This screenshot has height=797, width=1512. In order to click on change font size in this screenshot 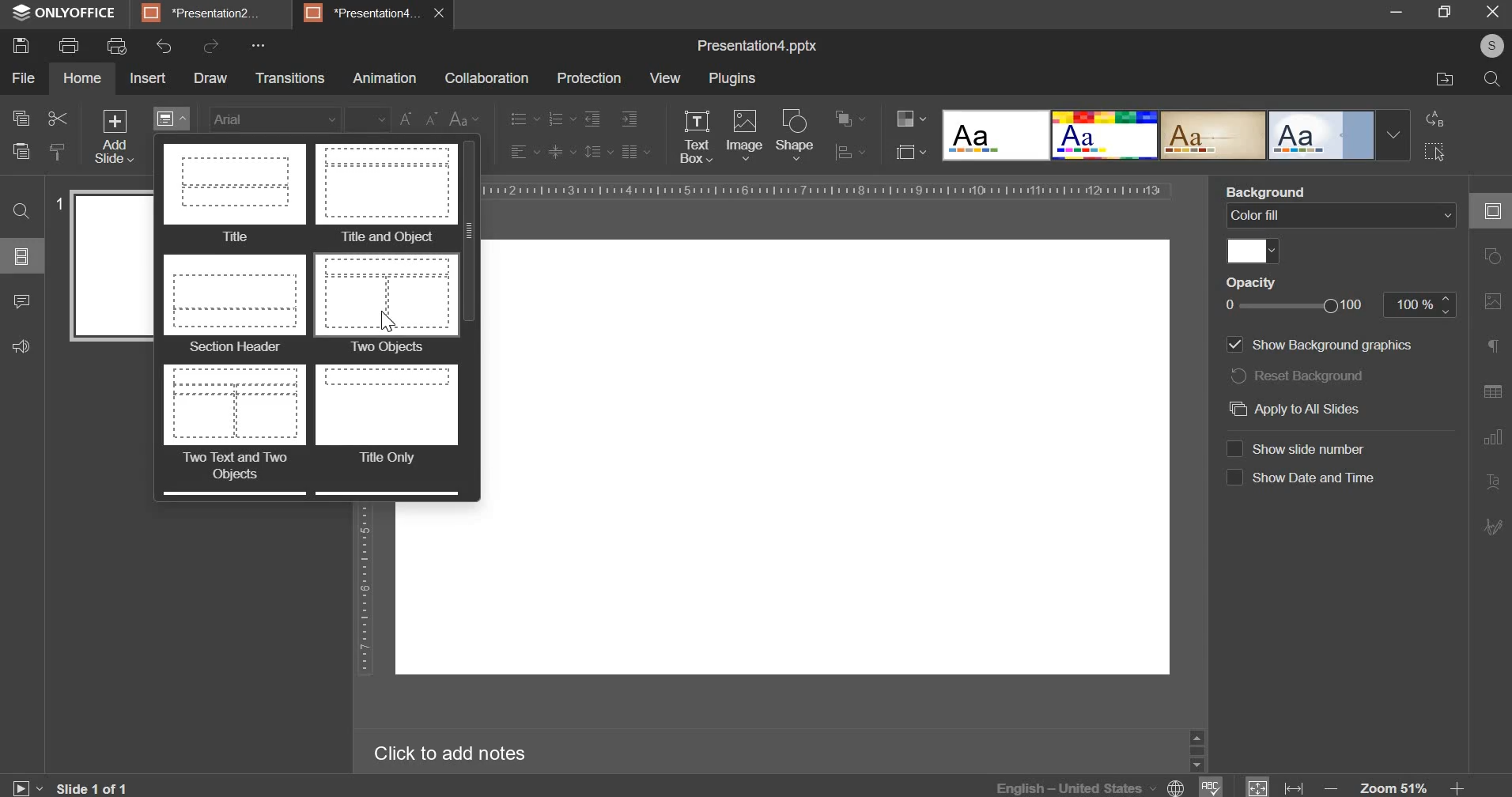, I will do `click(407, 117)`.